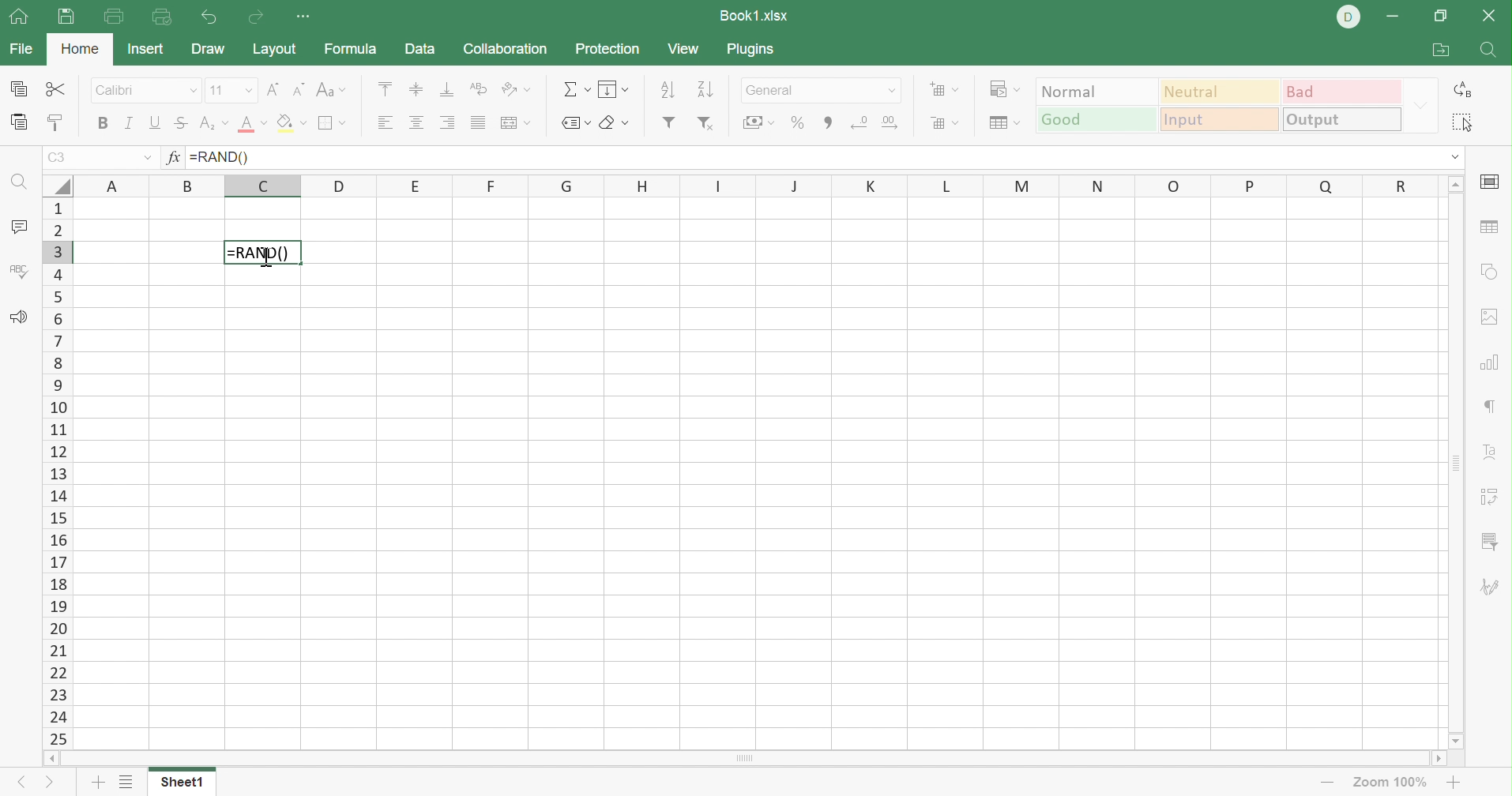 The image size is (1512, 796). What do you see at coordinates (515, 88) in the screenshot?
I see `Orientation` at bounding box center [515, 88].